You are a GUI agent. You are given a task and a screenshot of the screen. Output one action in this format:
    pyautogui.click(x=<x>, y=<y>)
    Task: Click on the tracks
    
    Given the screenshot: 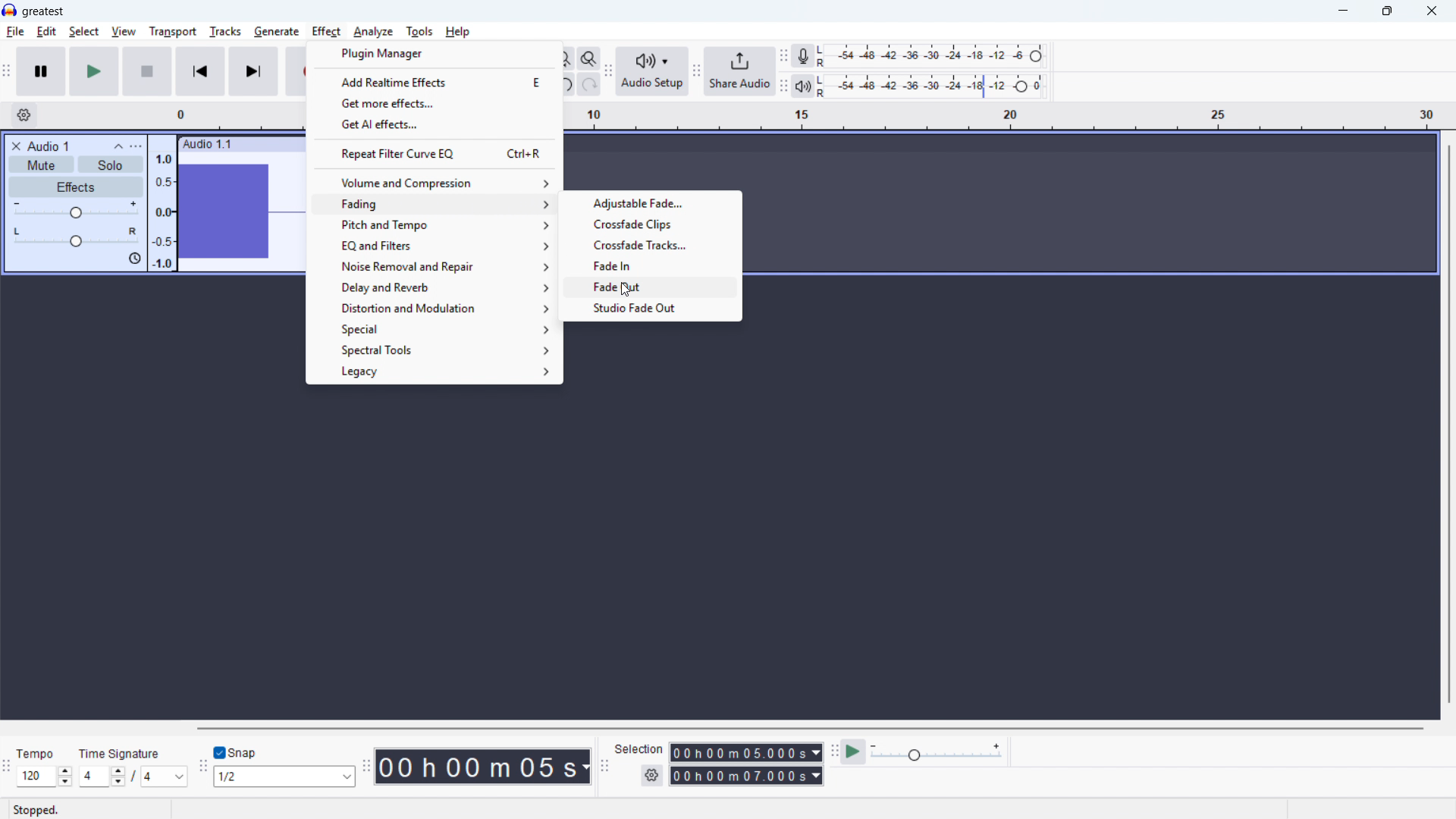 What is the action you would take?
    pyautogui.click(x=226, y=32)
    